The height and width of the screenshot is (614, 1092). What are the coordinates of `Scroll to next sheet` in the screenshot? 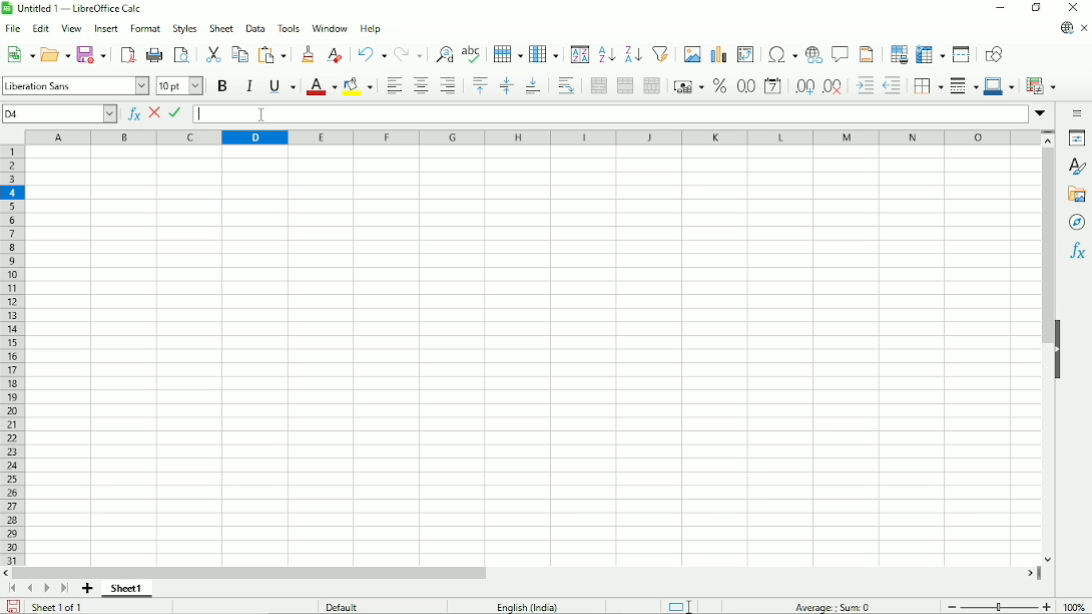 It's located at (46, 589).